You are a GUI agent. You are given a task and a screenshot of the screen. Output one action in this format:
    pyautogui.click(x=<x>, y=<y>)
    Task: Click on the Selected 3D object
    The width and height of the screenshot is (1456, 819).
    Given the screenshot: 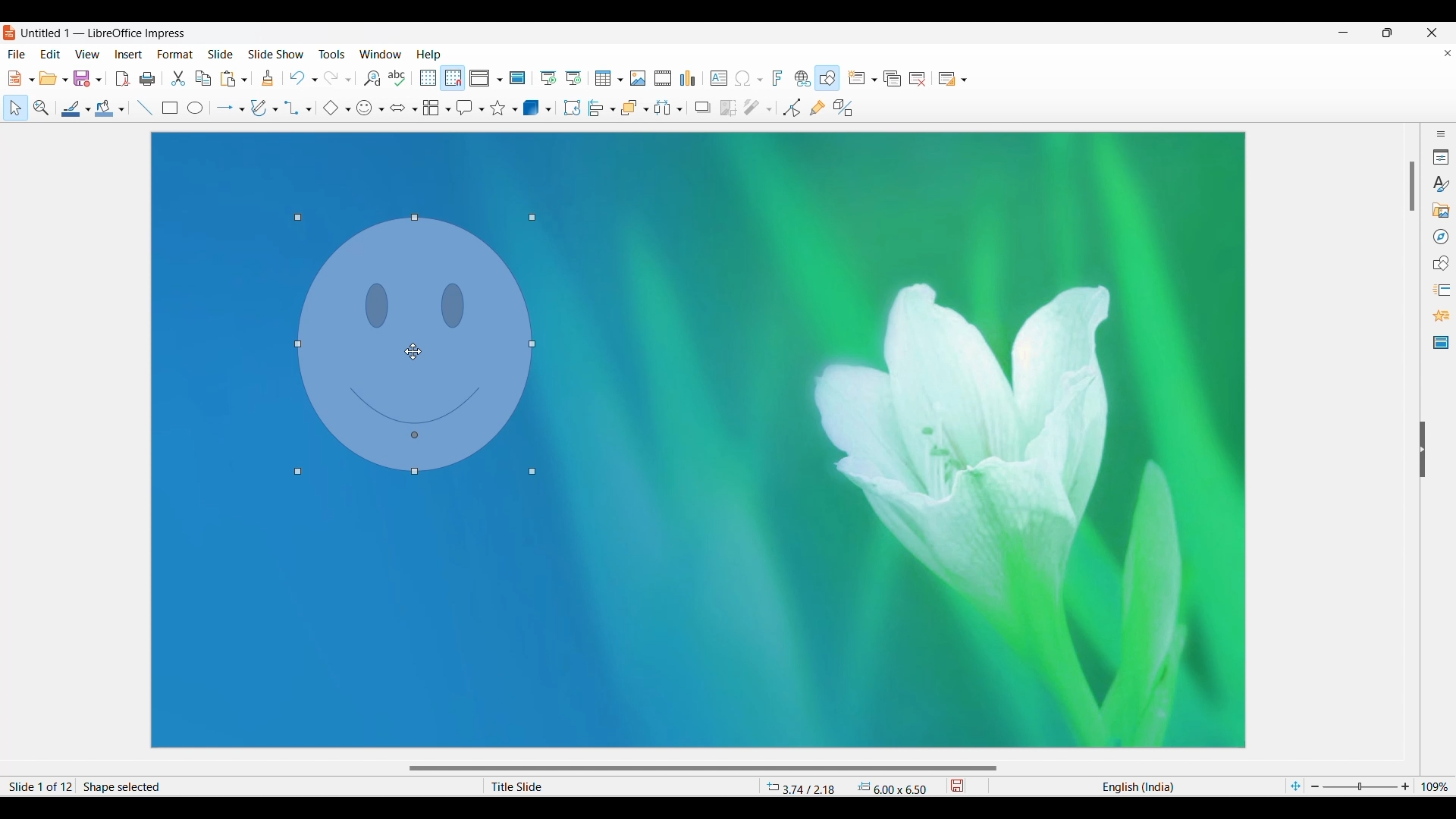 What is the action you would take?
    pyautogui.click(x=532, y=107)
    